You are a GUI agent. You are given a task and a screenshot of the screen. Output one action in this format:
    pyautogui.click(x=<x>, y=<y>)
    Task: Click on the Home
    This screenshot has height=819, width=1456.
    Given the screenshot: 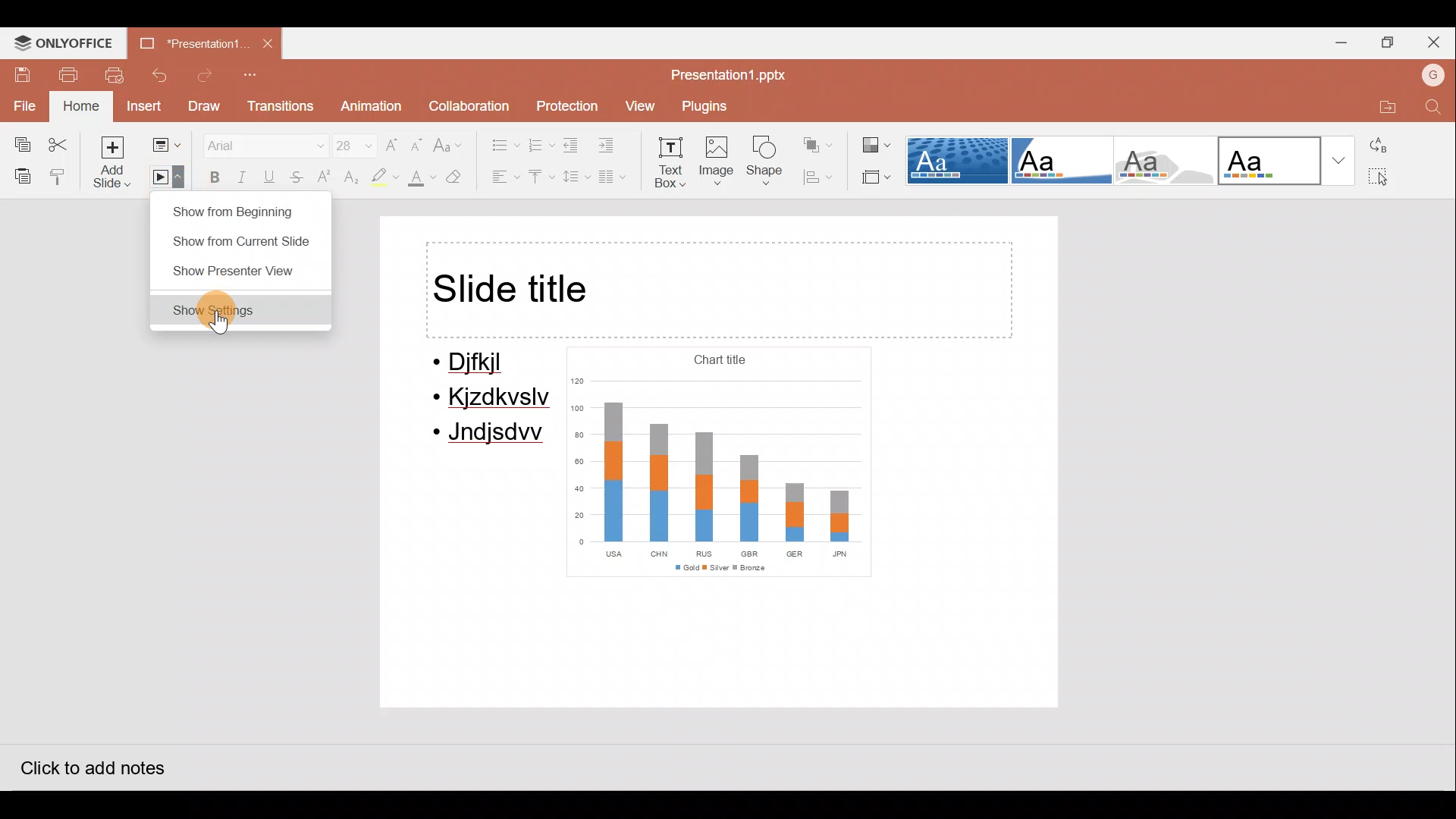 What is the action you would take?
    pyautogui.click(x=80, y=104)
    